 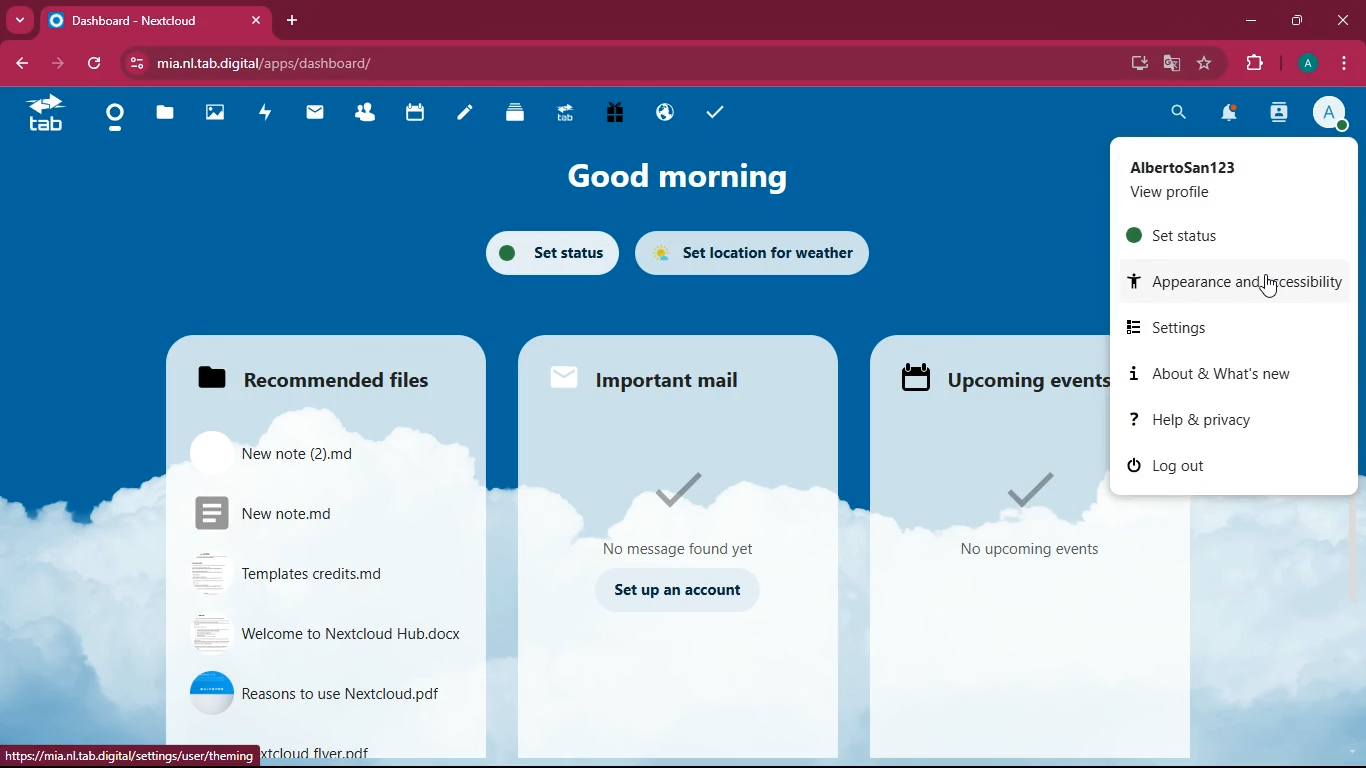 I want to click on home, so click(x=114, y=118).